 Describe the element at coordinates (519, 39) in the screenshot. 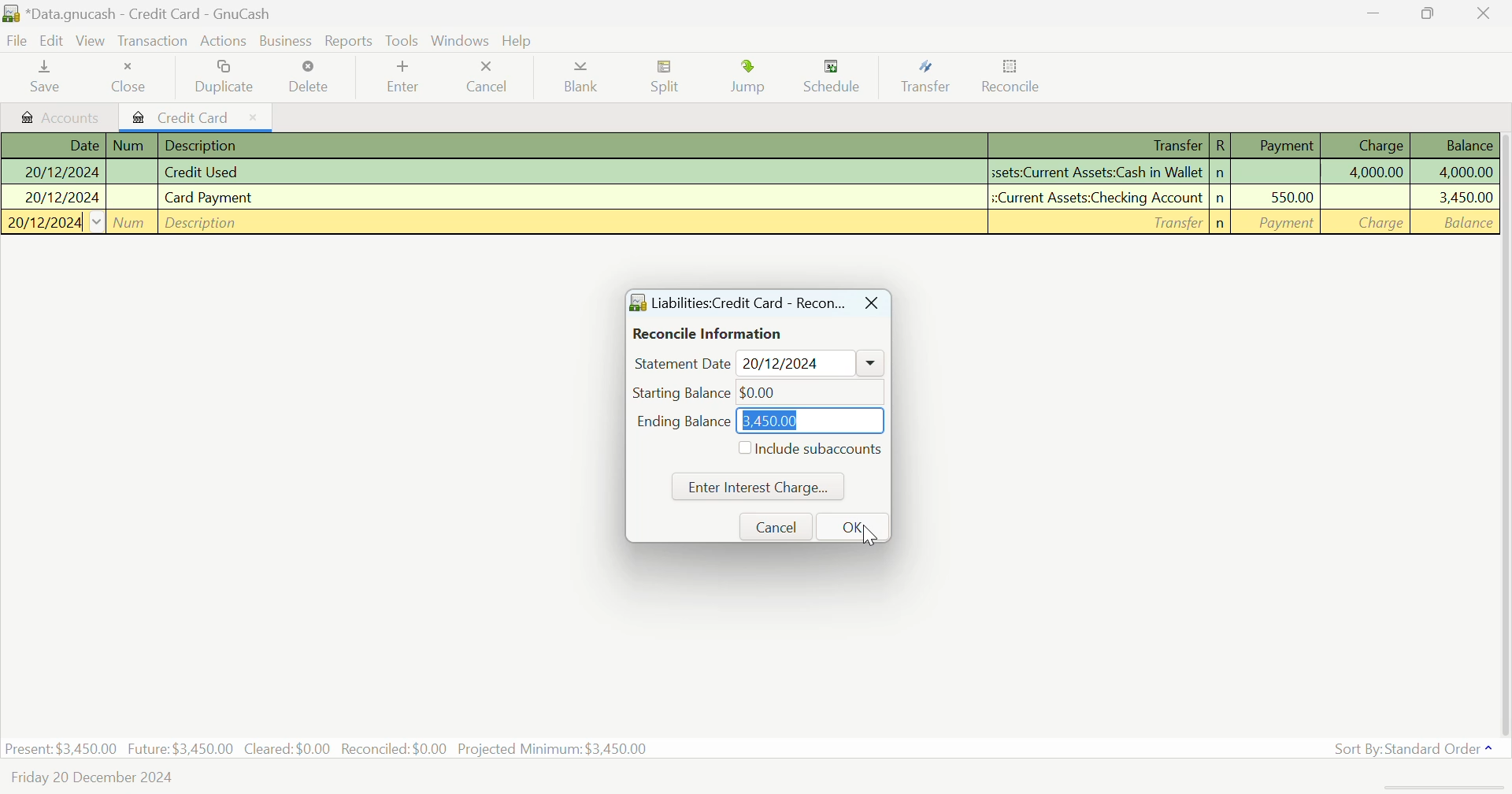

I see `Help` at that location.